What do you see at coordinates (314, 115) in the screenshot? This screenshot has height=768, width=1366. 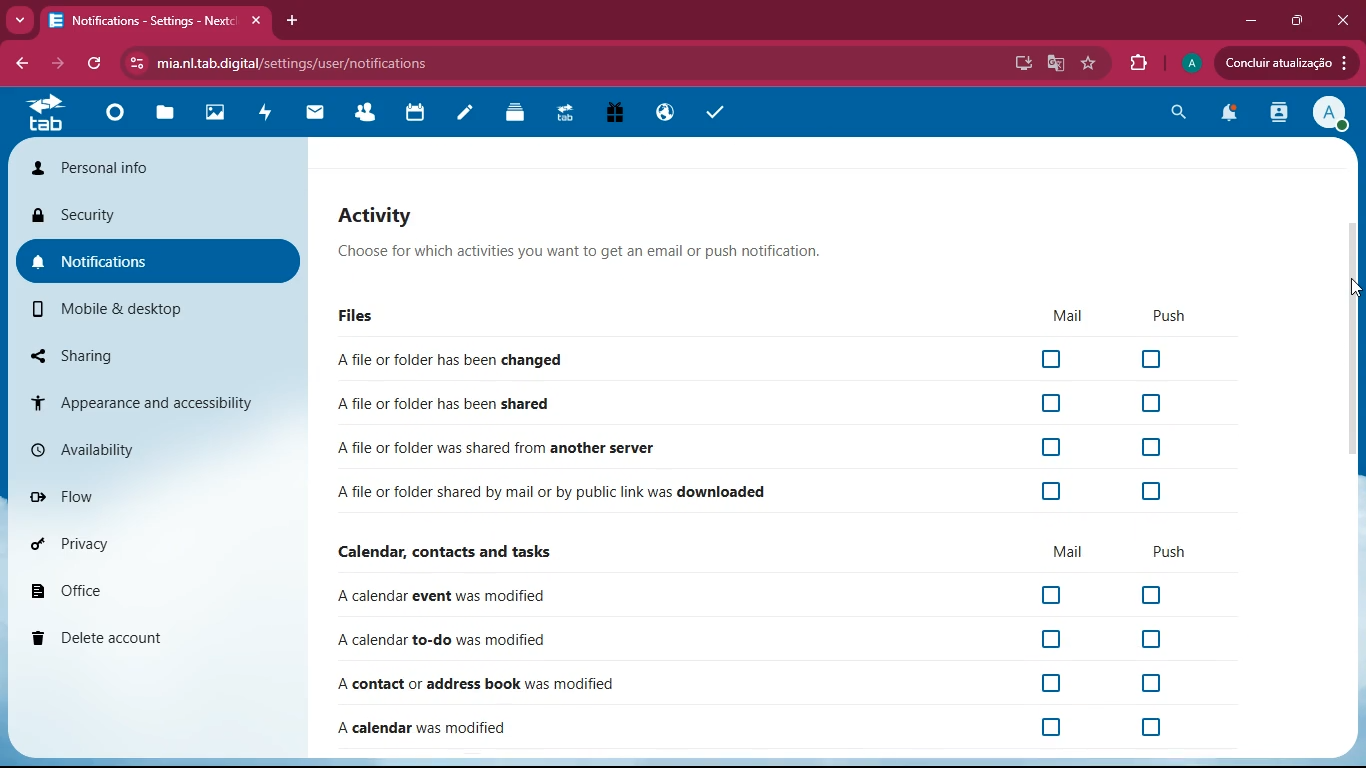 I see `mail` at bounding box center [314, 115].